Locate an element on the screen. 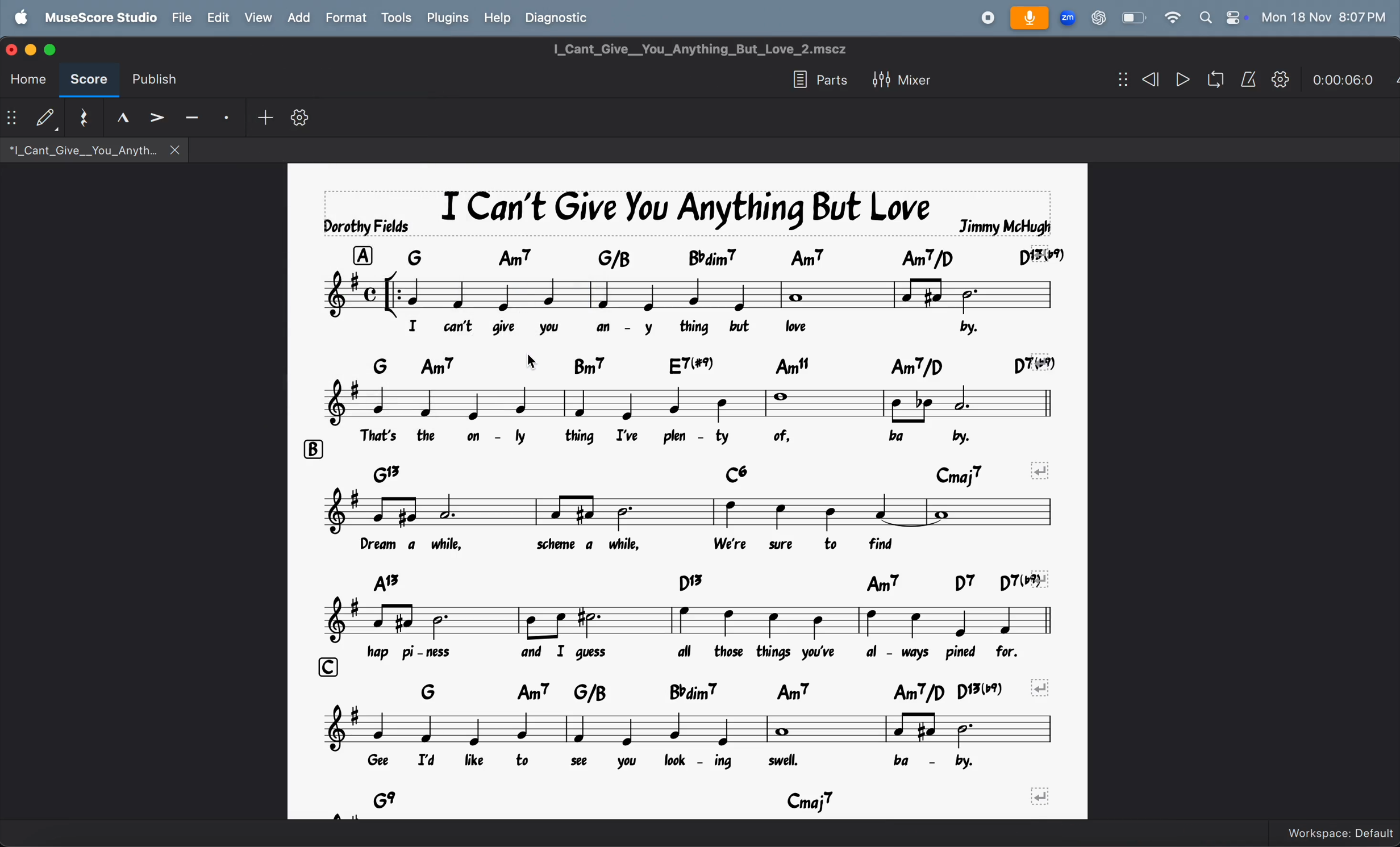  lyrics is located at coordinates (711, 653).